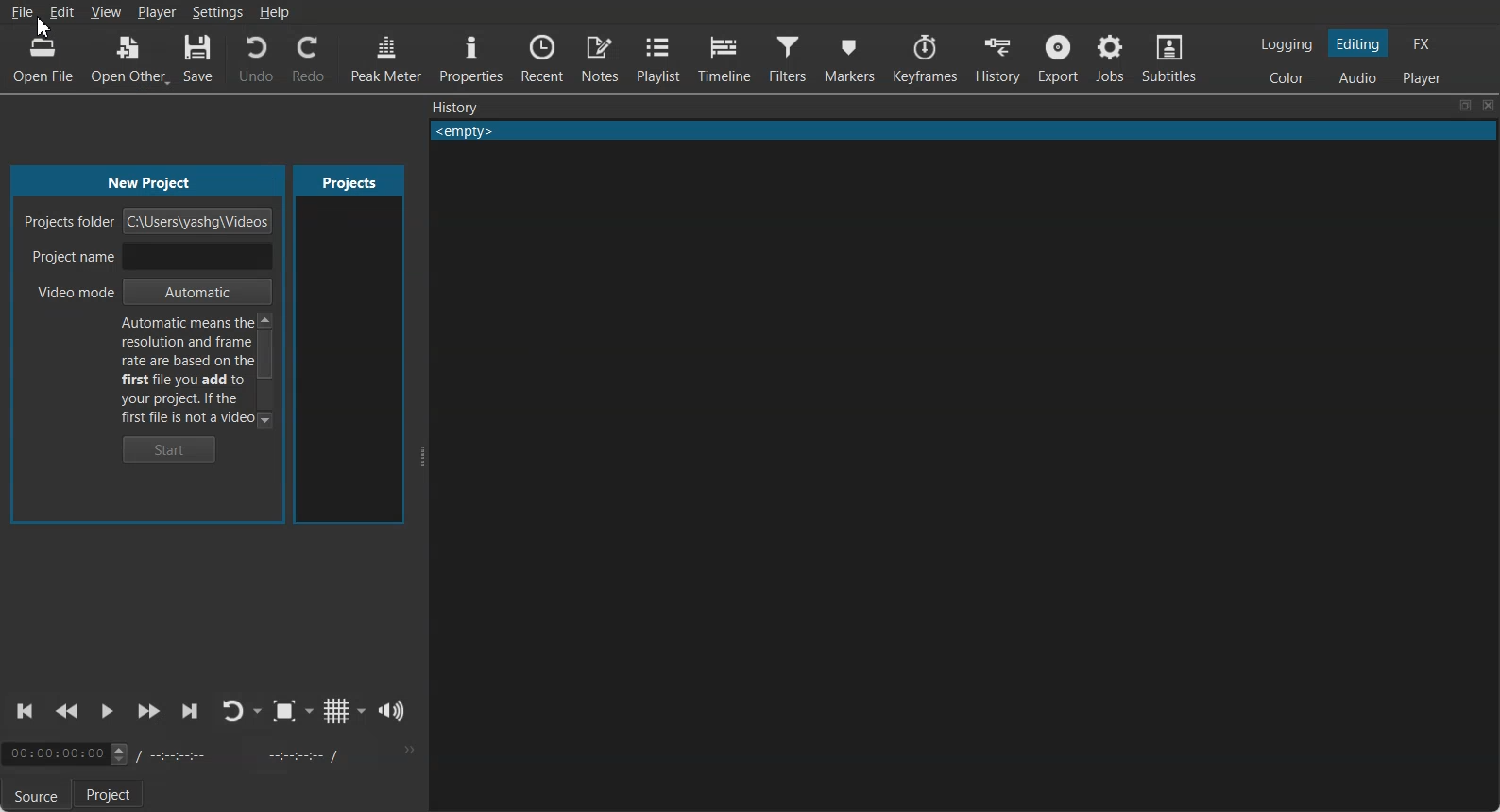 Image resolution: width=1500 pixels, height=812 pixels. Describe the element at coordinates (407, 750) in the screenshot. I see `More` at that location.